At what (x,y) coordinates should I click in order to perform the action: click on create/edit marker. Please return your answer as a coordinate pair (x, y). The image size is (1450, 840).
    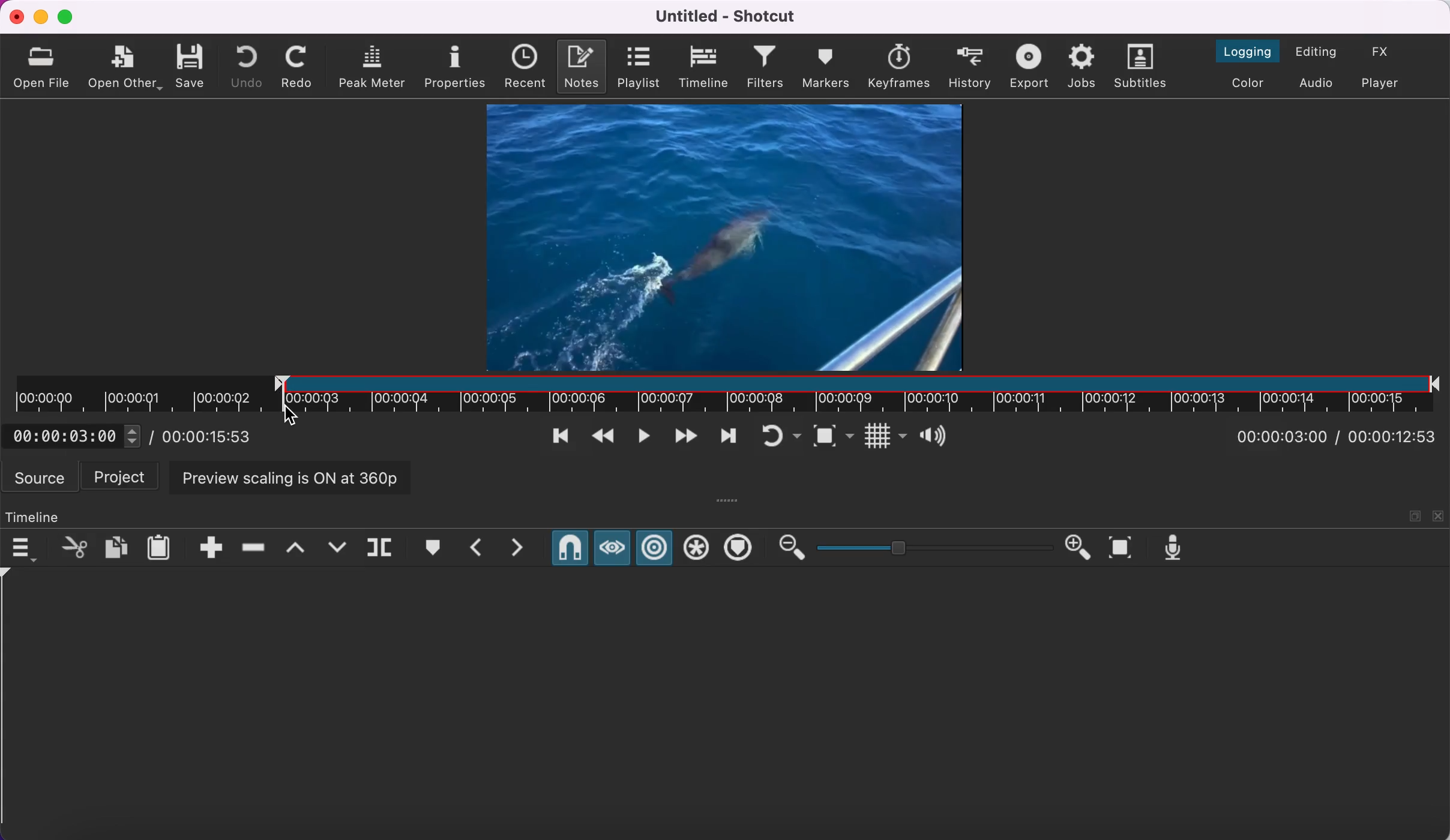
    Looking at the image, I should click on (432, 545).